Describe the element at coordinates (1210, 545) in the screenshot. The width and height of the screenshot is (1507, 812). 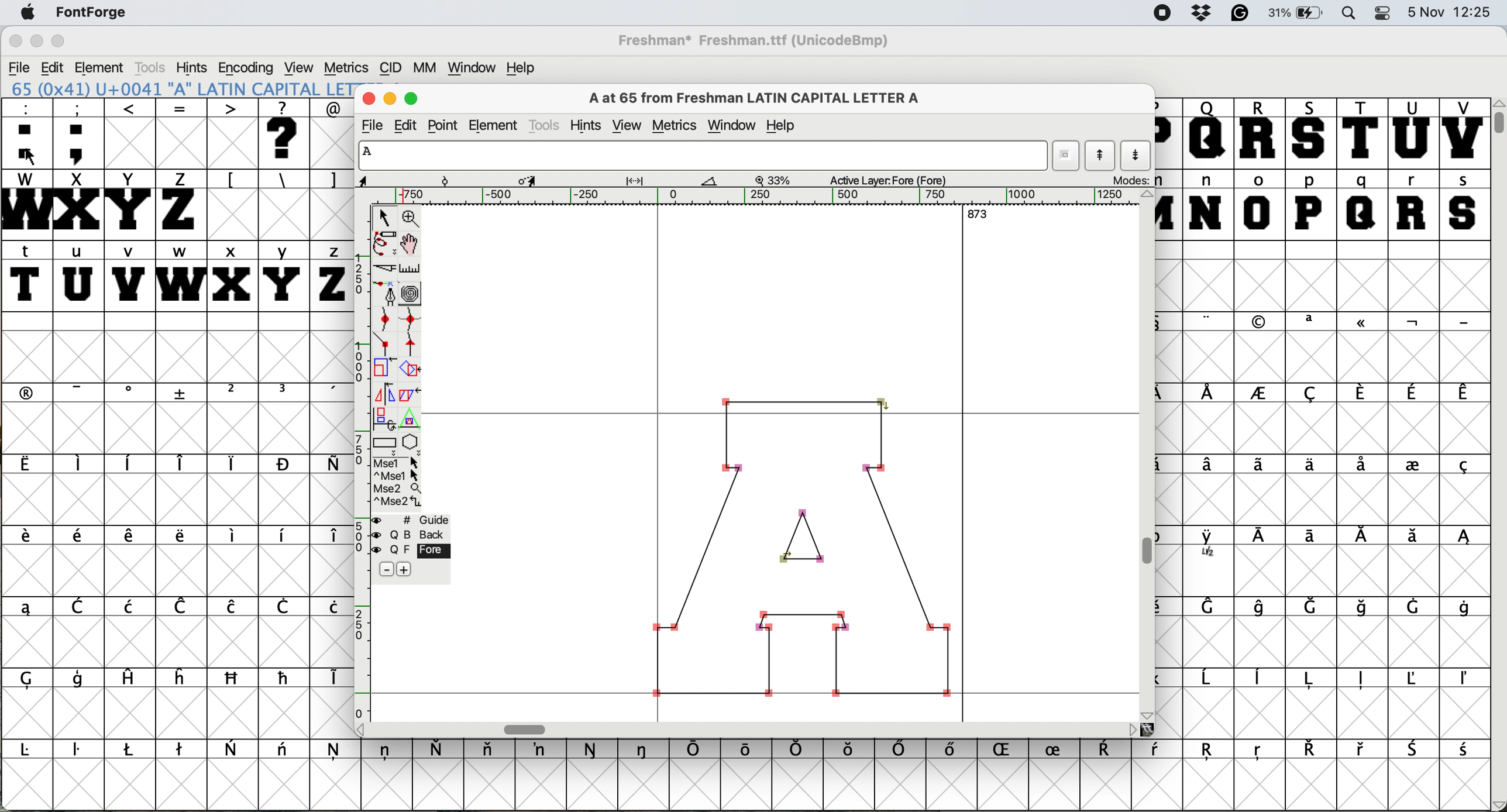
I see `symbol` at that location.